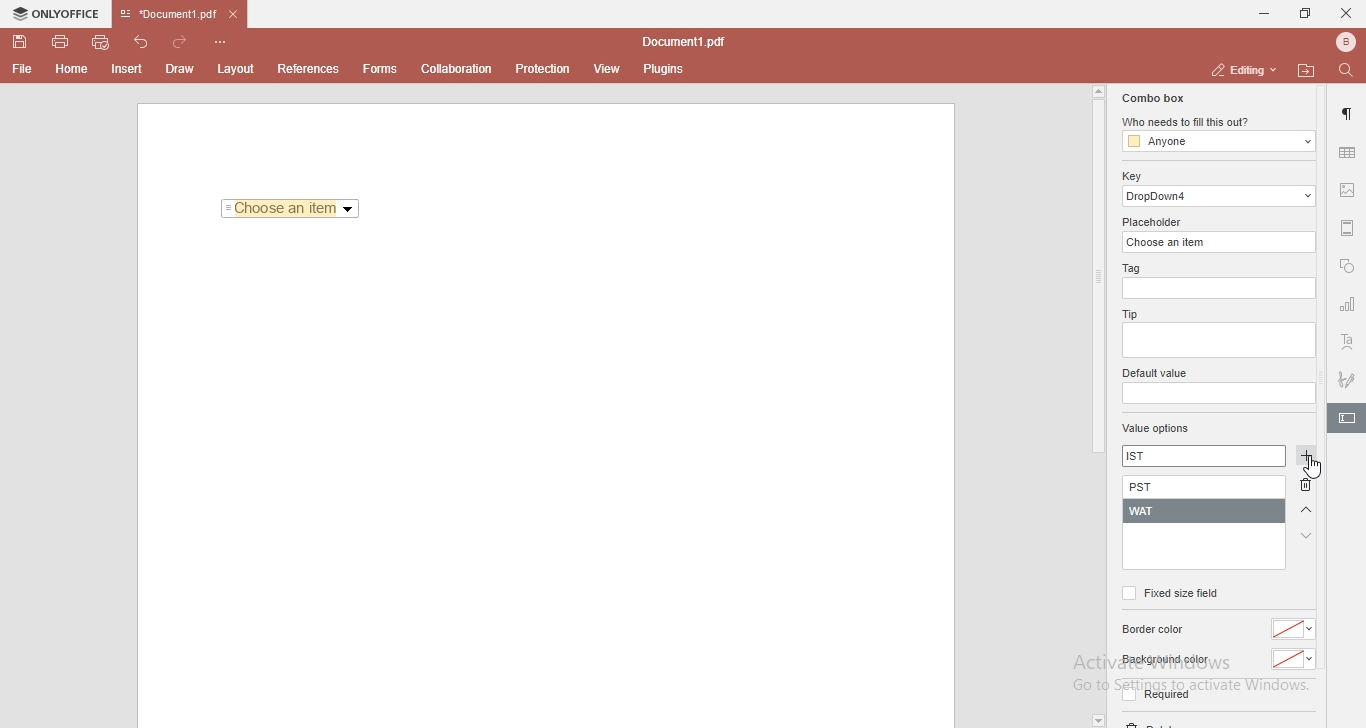 The width and height of the screenshot is (1366, 728). Describe the element at coordinates (380, 69) in the screenshot. I see `forms` at that location.